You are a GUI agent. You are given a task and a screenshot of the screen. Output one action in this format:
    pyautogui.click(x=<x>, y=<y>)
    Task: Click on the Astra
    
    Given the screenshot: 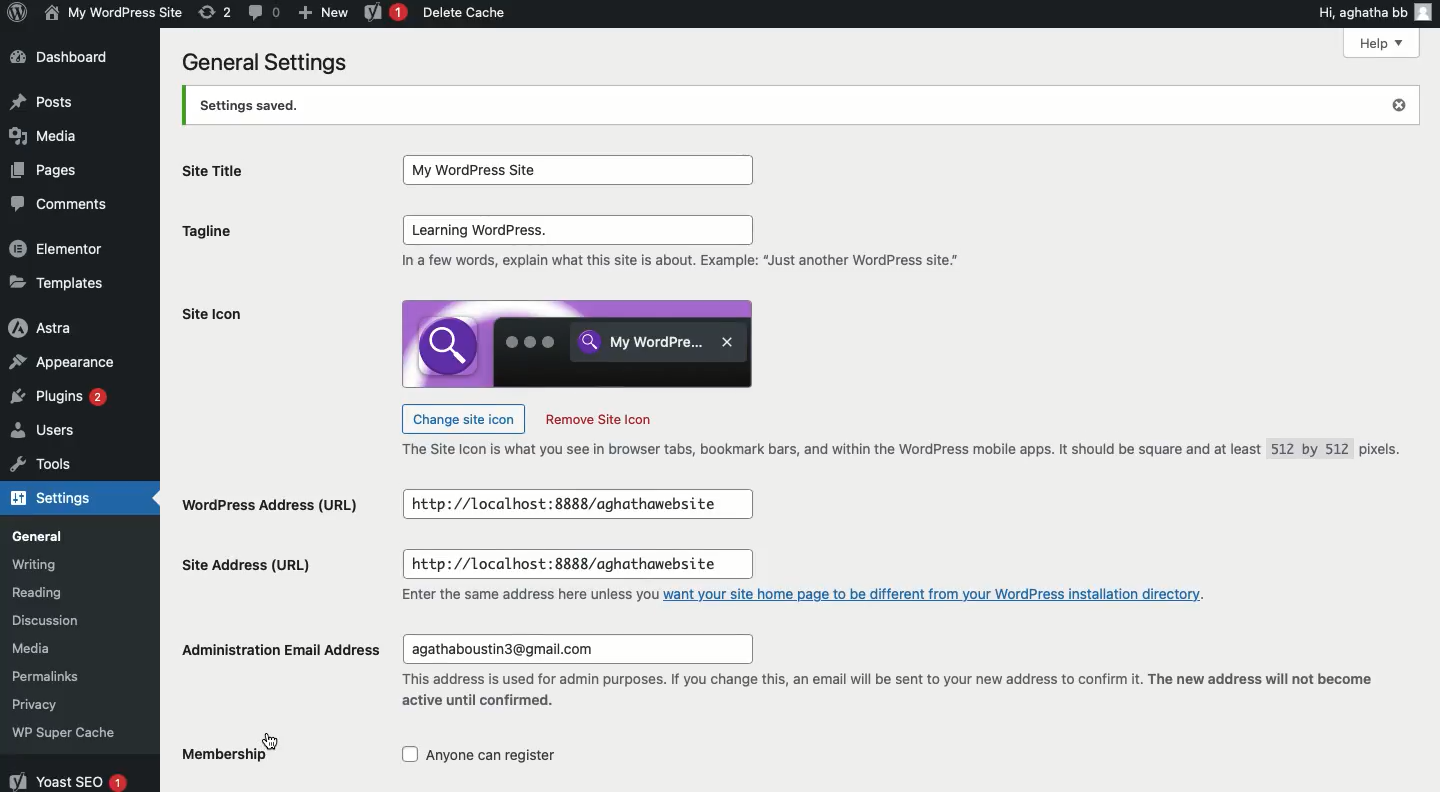 What is the action you would take?
    pyautogui.click(x=57, y=329)
    